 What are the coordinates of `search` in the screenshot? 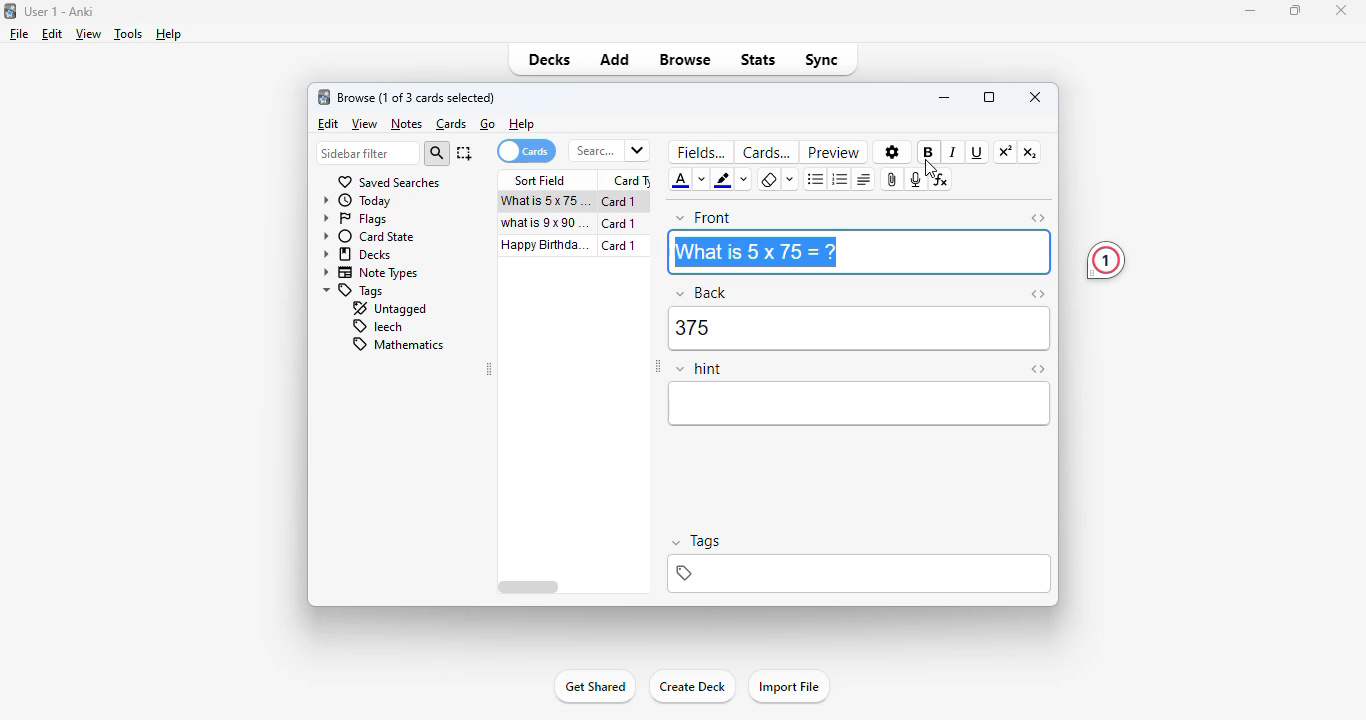 It's located at (437, 153).